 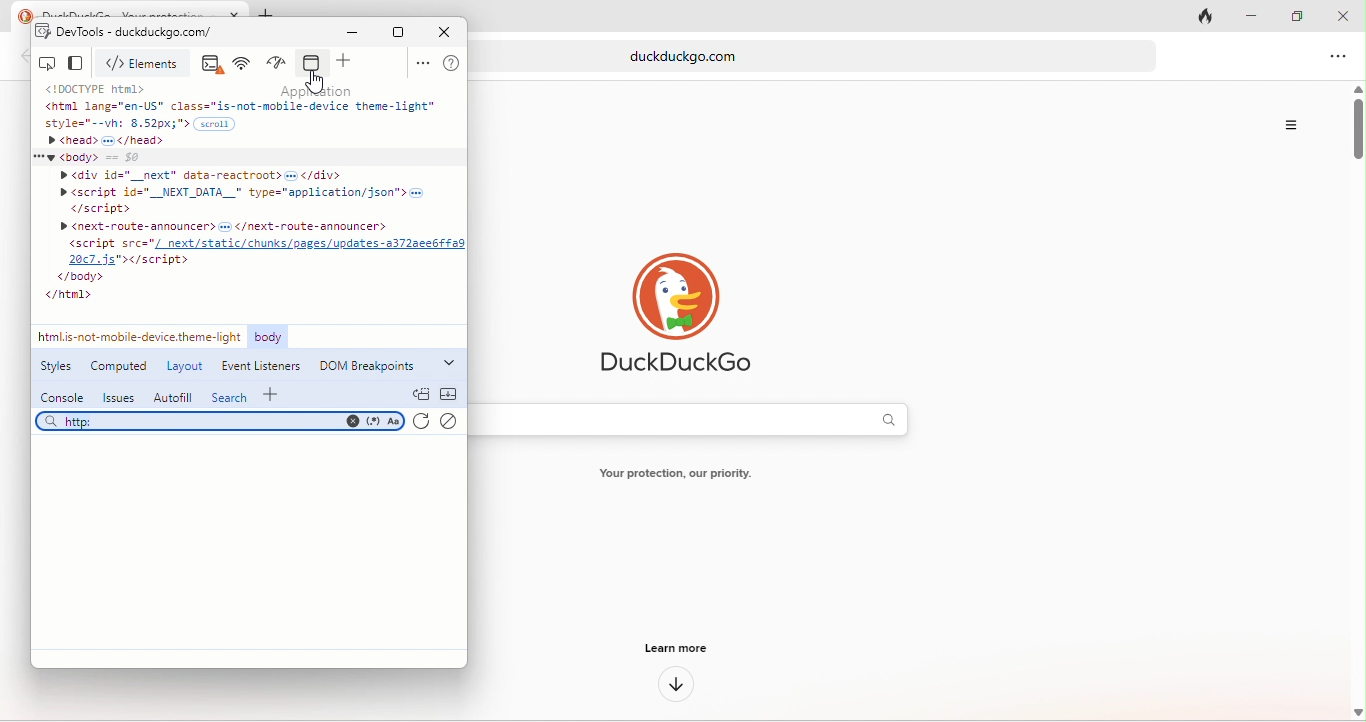 I want to click on inspect, so click(x=47, y=64).